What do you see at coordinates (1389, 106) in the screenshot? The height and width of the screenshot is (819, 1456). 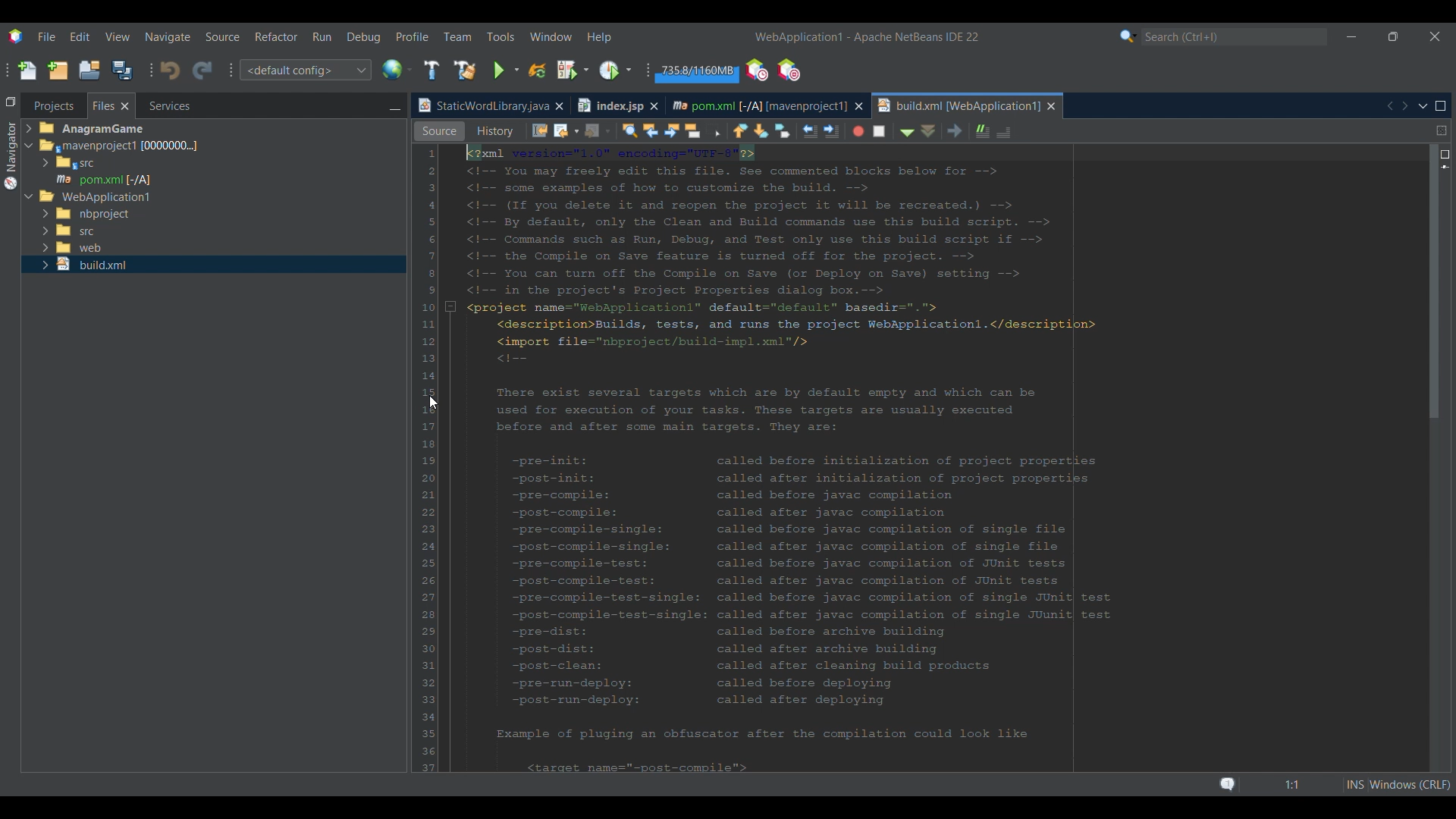 I see `Previous` at bounding box center [1389, 106].